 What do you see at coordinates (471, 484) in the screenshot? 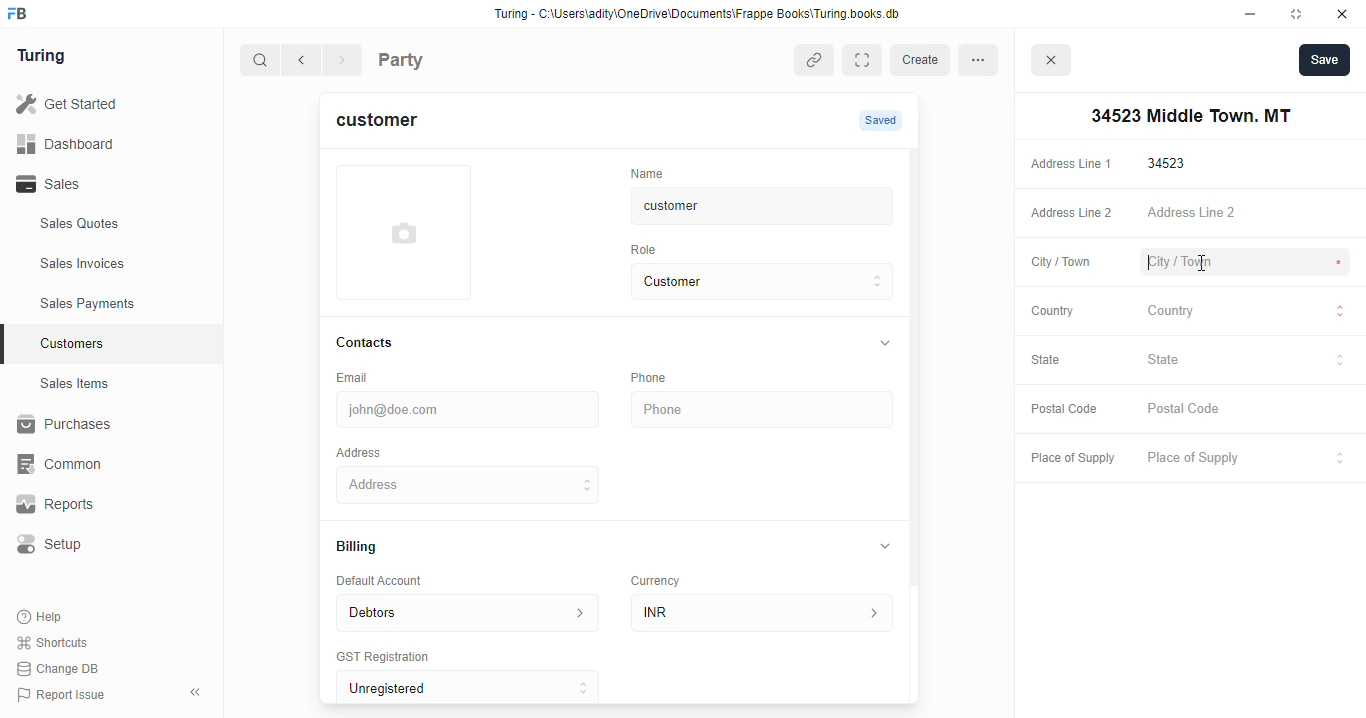
I see `34523 Middle Town. MT` at bounding box center [471, 484].